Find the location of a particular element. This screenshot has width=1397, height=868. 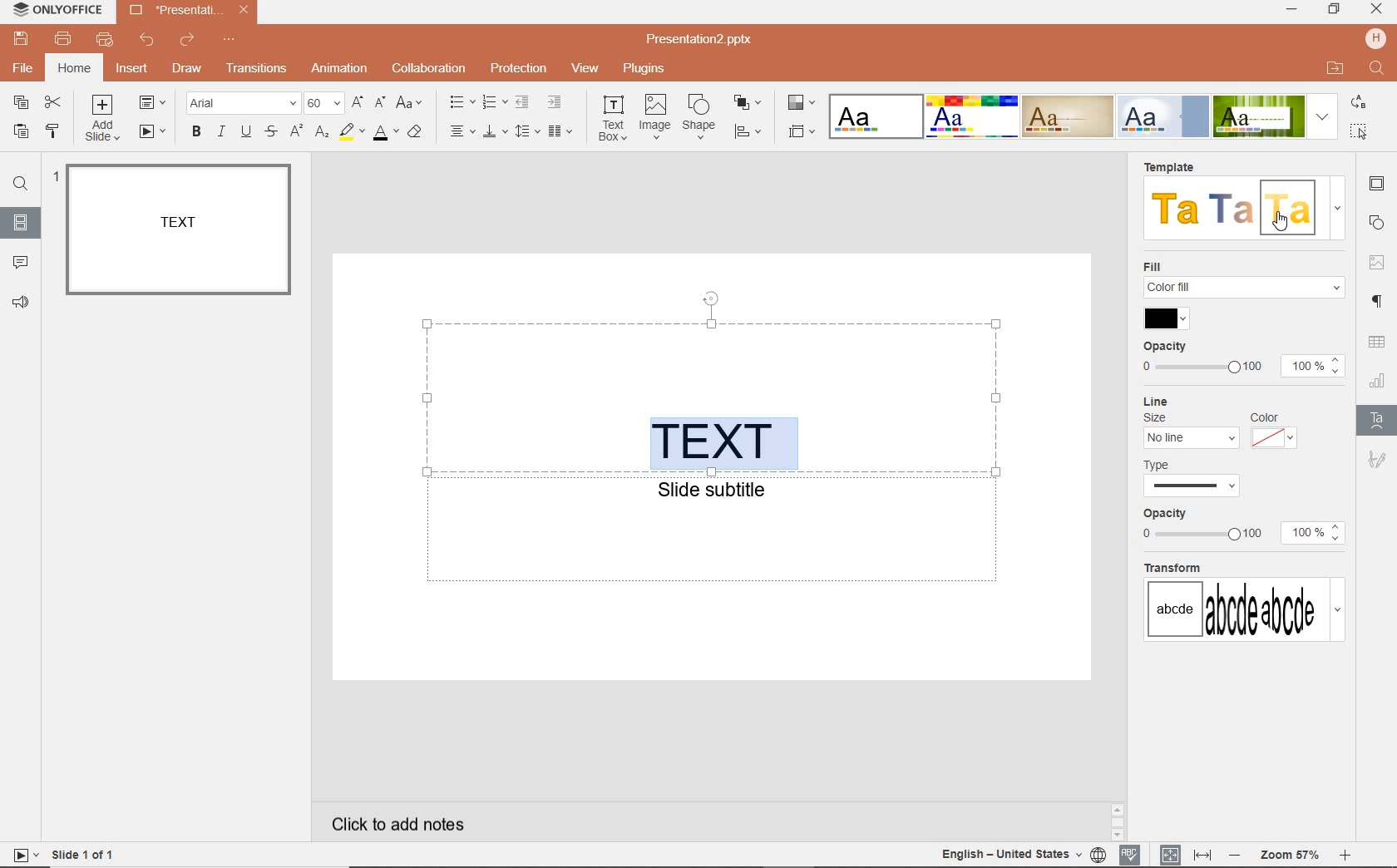

template is located at coordinates (1233, 207).